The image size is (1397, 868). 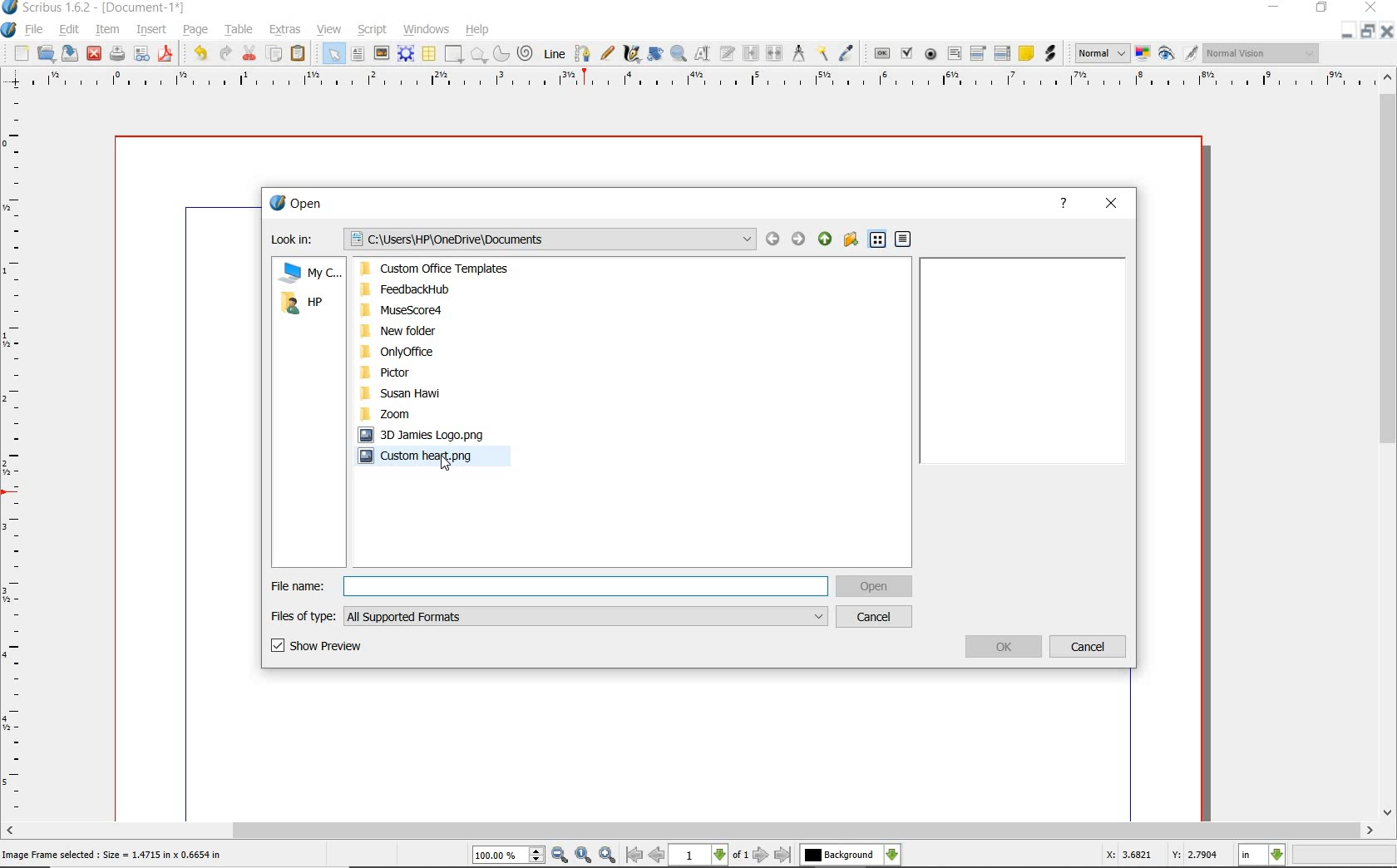 What do you see at coordinates (1386, 32) in the screenshot?
I see `close` at bounding box center [1386, 32].